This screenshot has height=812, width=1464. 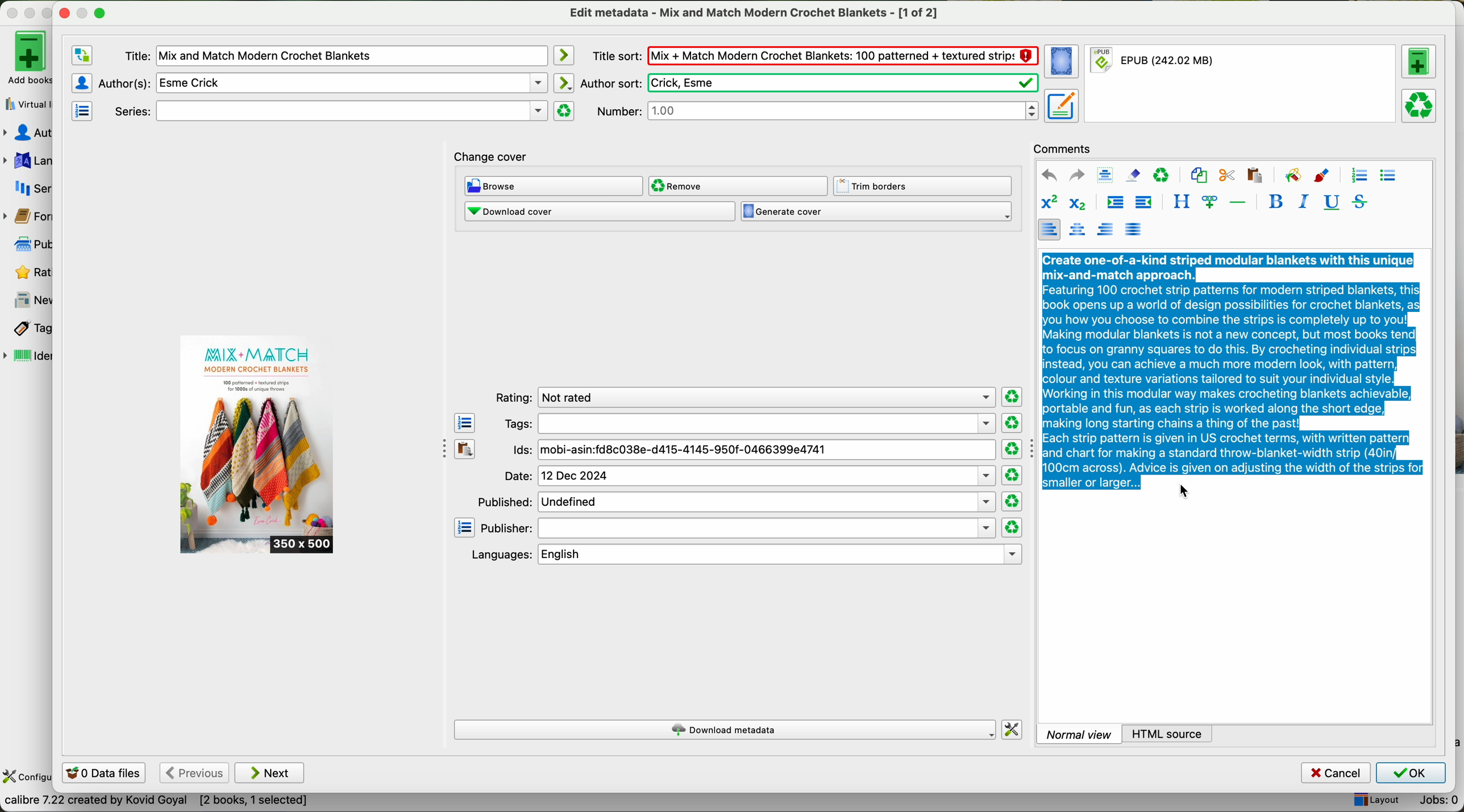 What do you see at coordinates (1239, 201) in the screenshot?
I see `insert separator` at bounding box center [1239, 201].